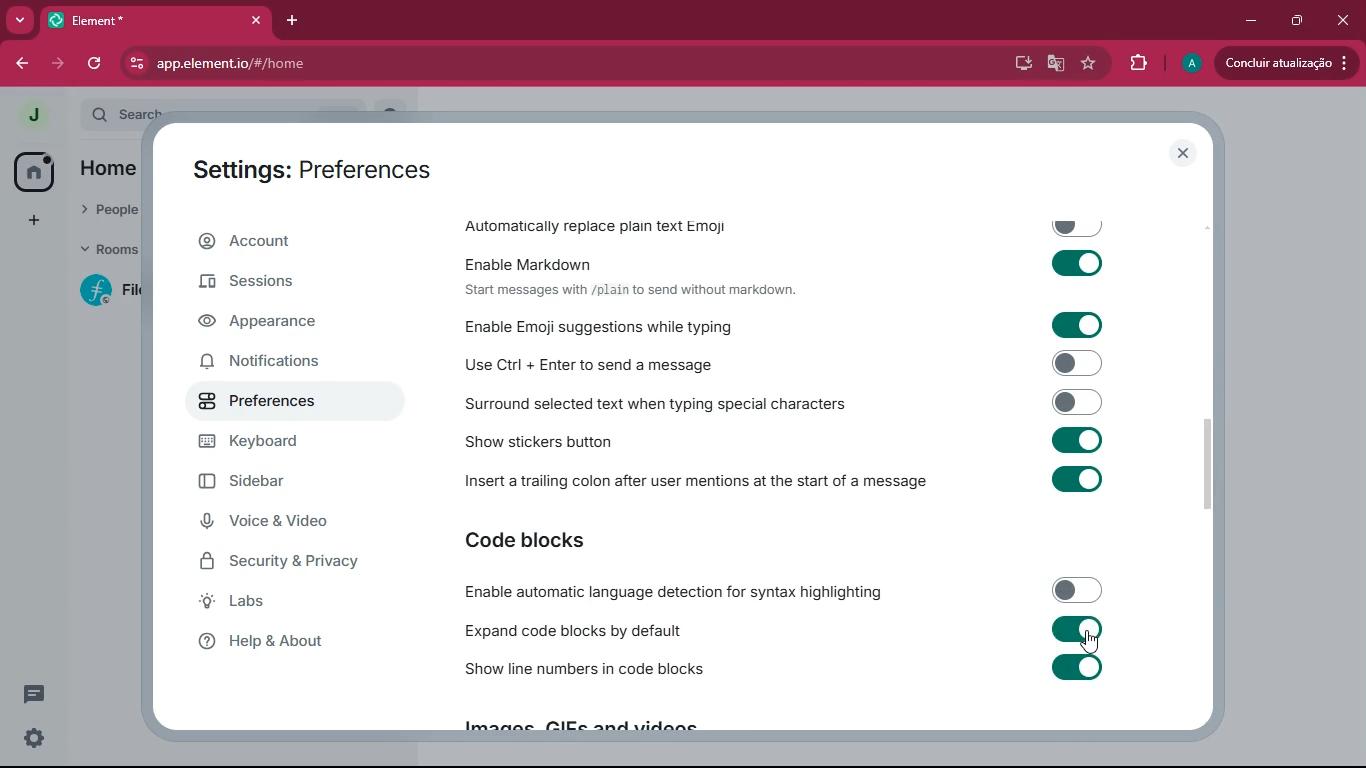  I want to click on favourite, so click(1088, 63).